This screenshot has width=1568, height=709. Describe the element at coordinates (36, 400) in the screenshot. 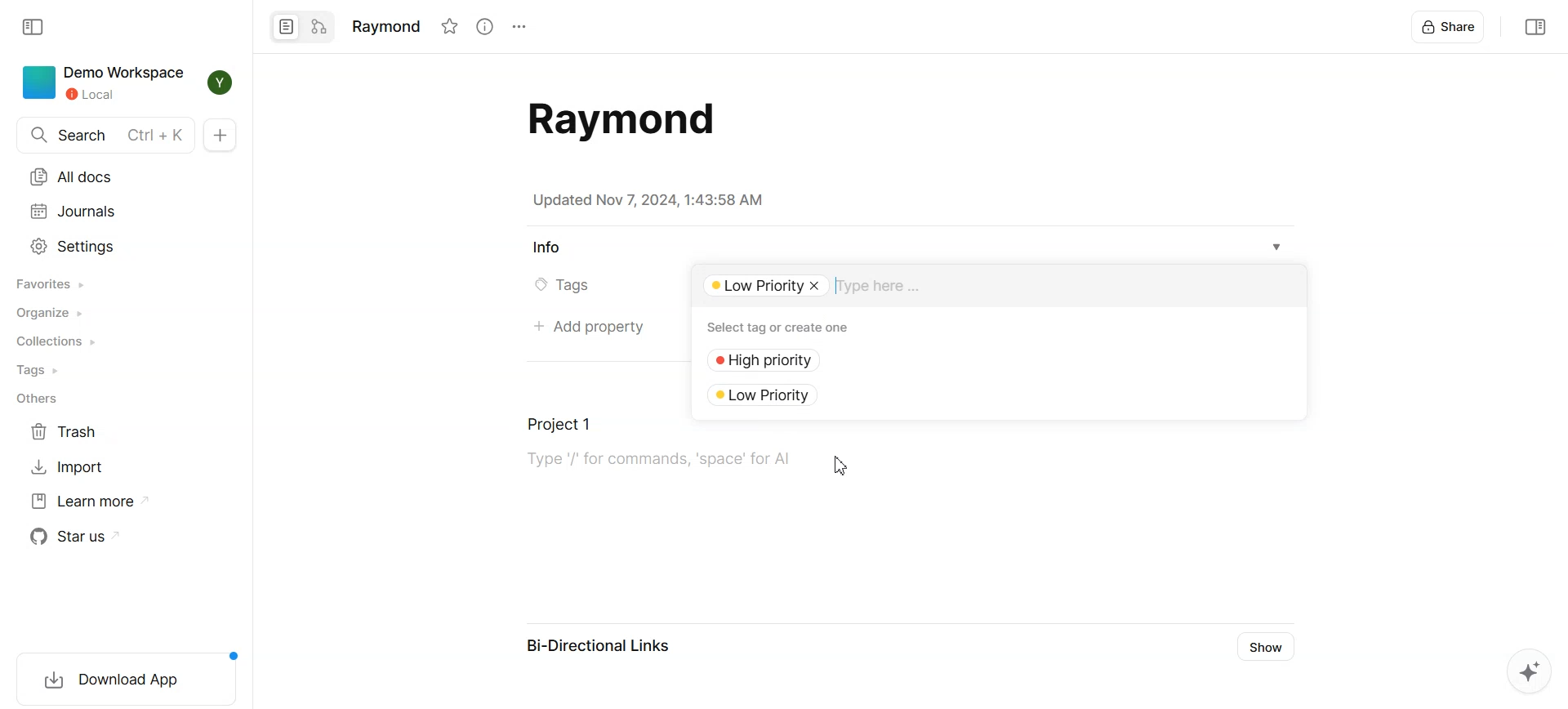

I see `Others` at that location.